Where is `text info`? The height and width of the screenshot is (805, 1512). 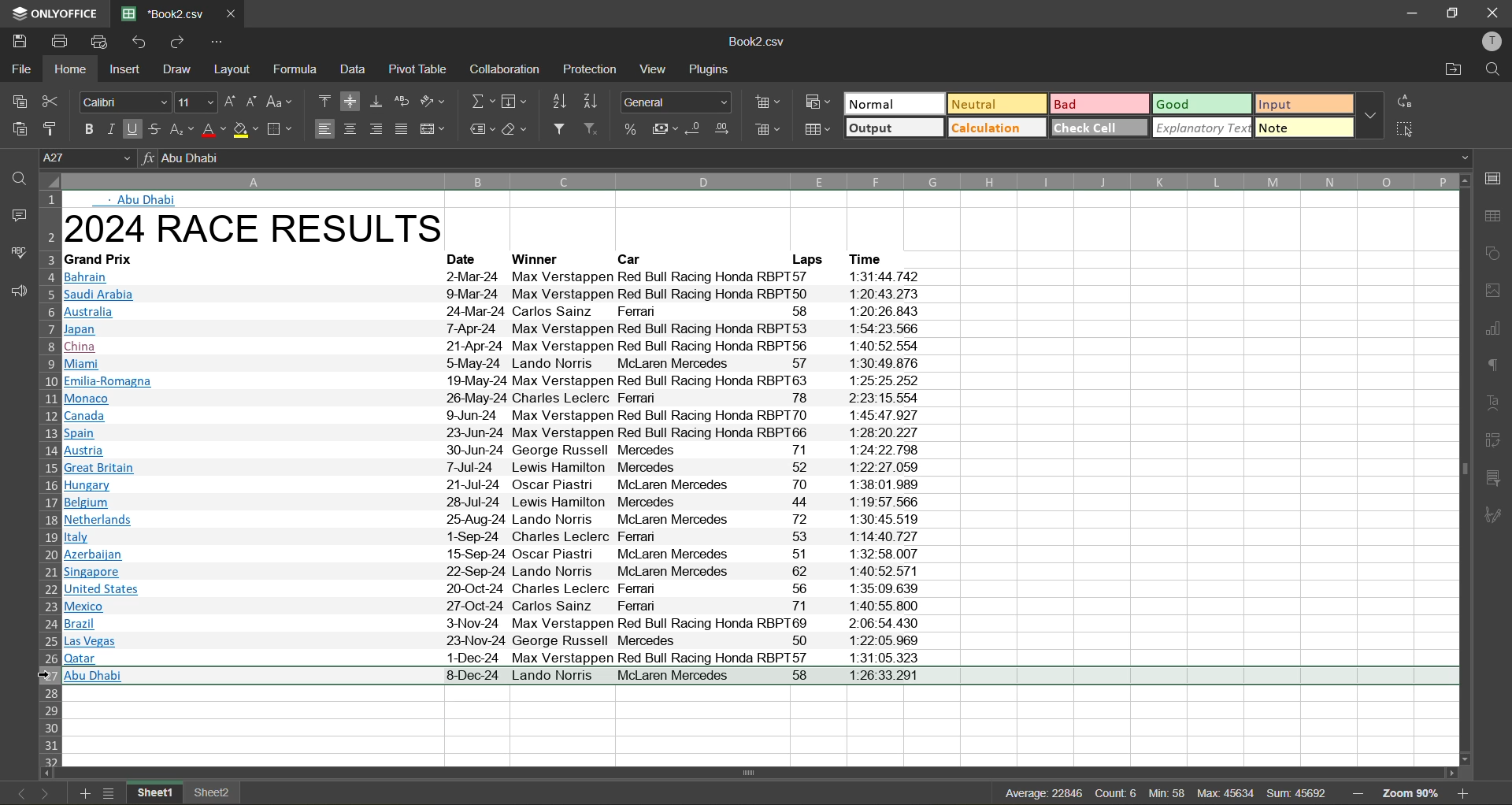
text info is located at coordinates (504, 399).